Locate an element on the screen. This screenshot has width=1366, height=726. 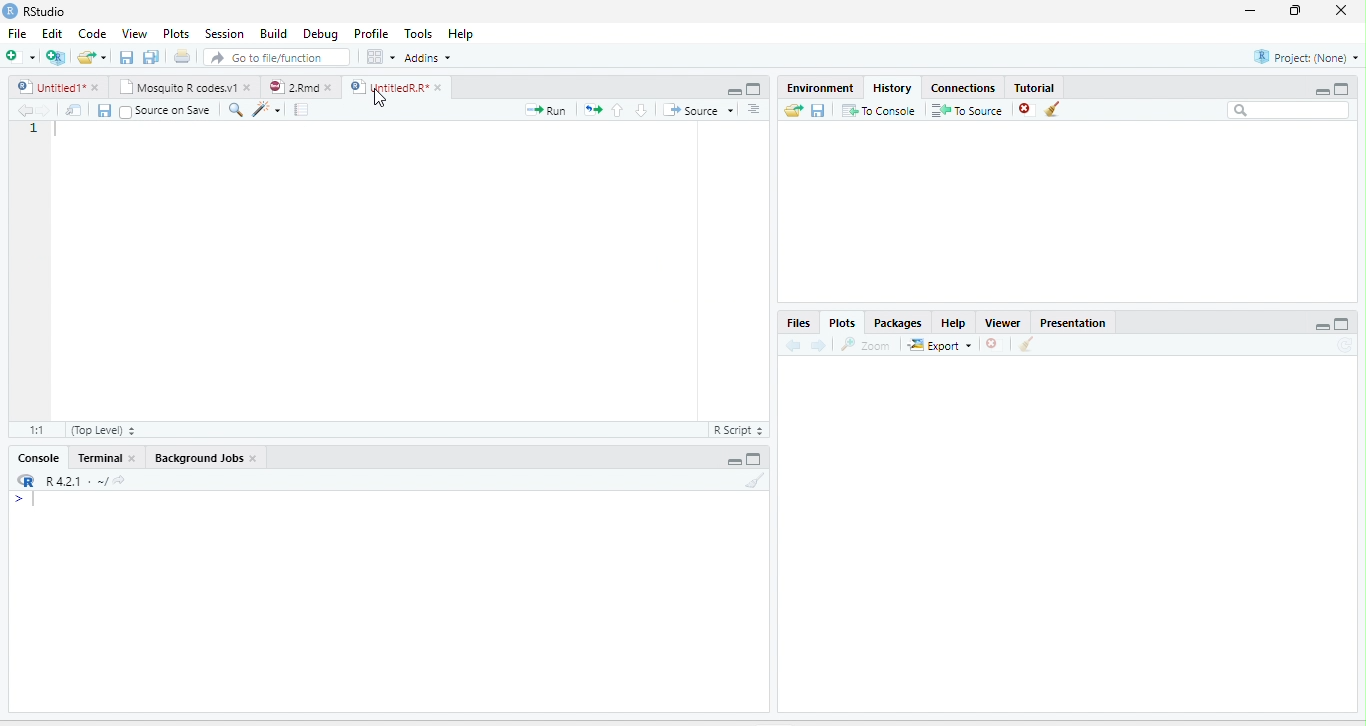
Maximize is located at coordinates (1343, 324).